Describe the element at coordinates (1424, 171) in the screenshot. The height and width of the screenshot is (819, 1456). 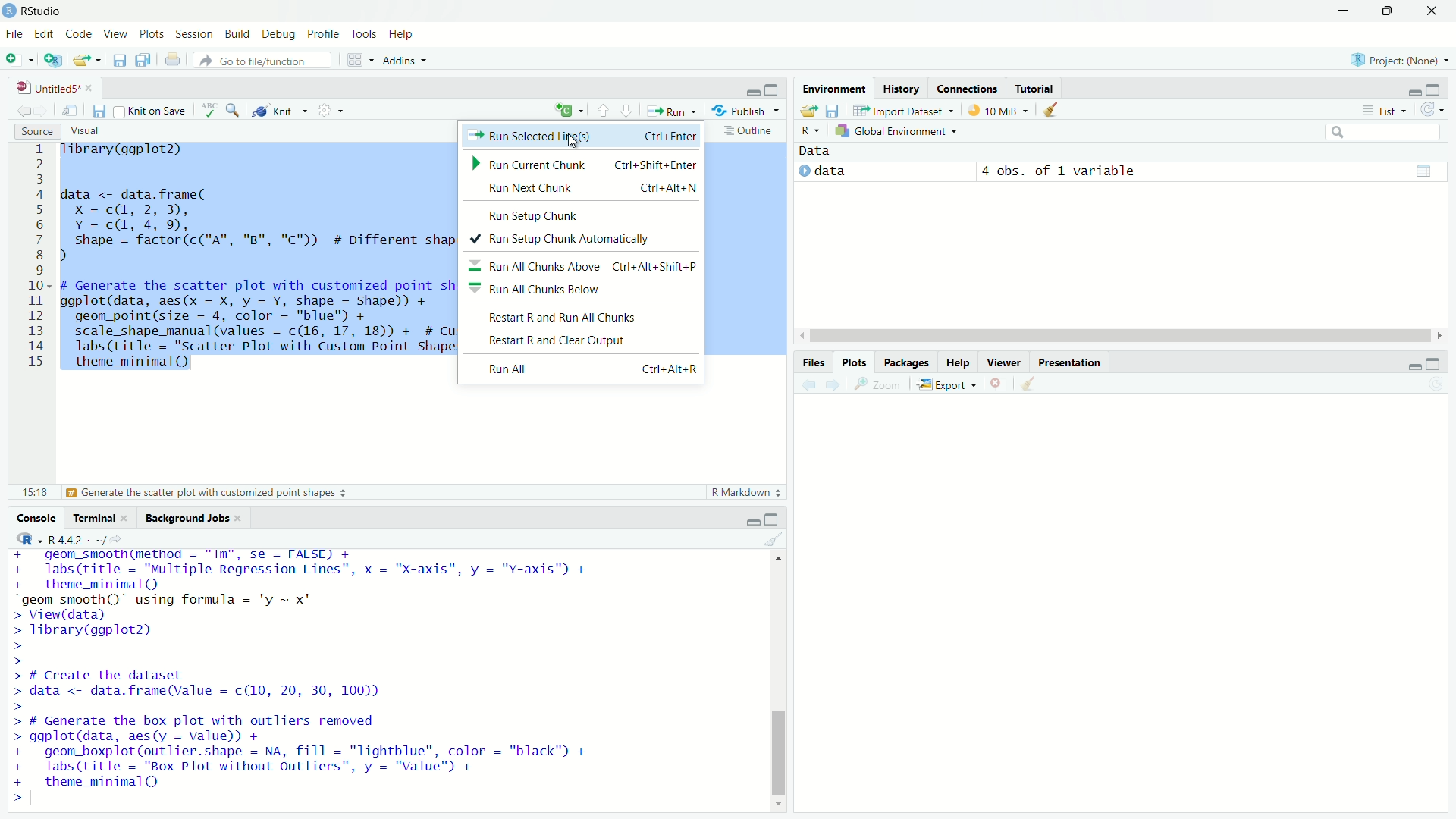
I see `grid view` at that location.